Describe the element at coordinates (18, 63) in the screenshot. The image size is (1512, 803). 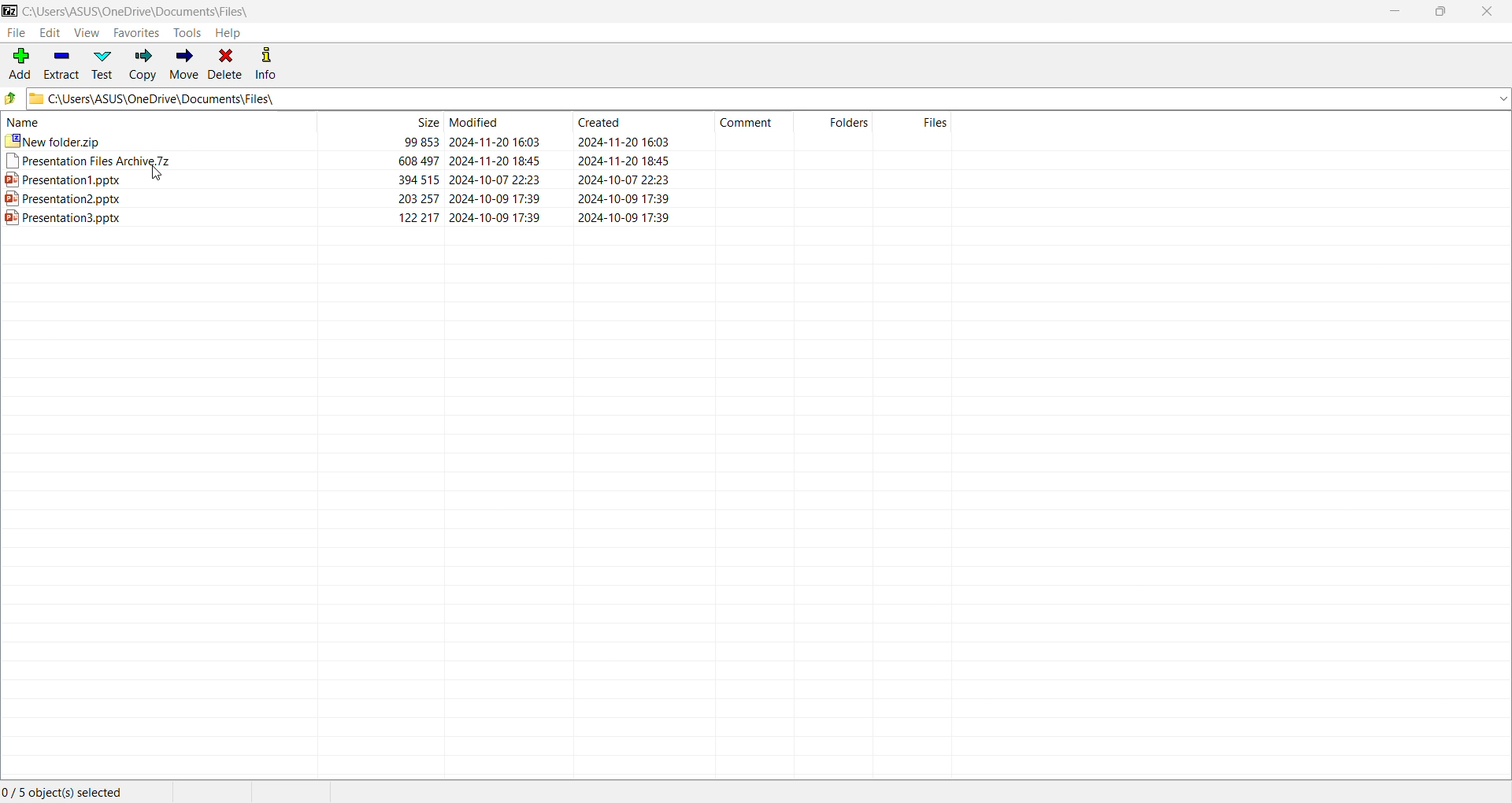
I see `Add` at that location.